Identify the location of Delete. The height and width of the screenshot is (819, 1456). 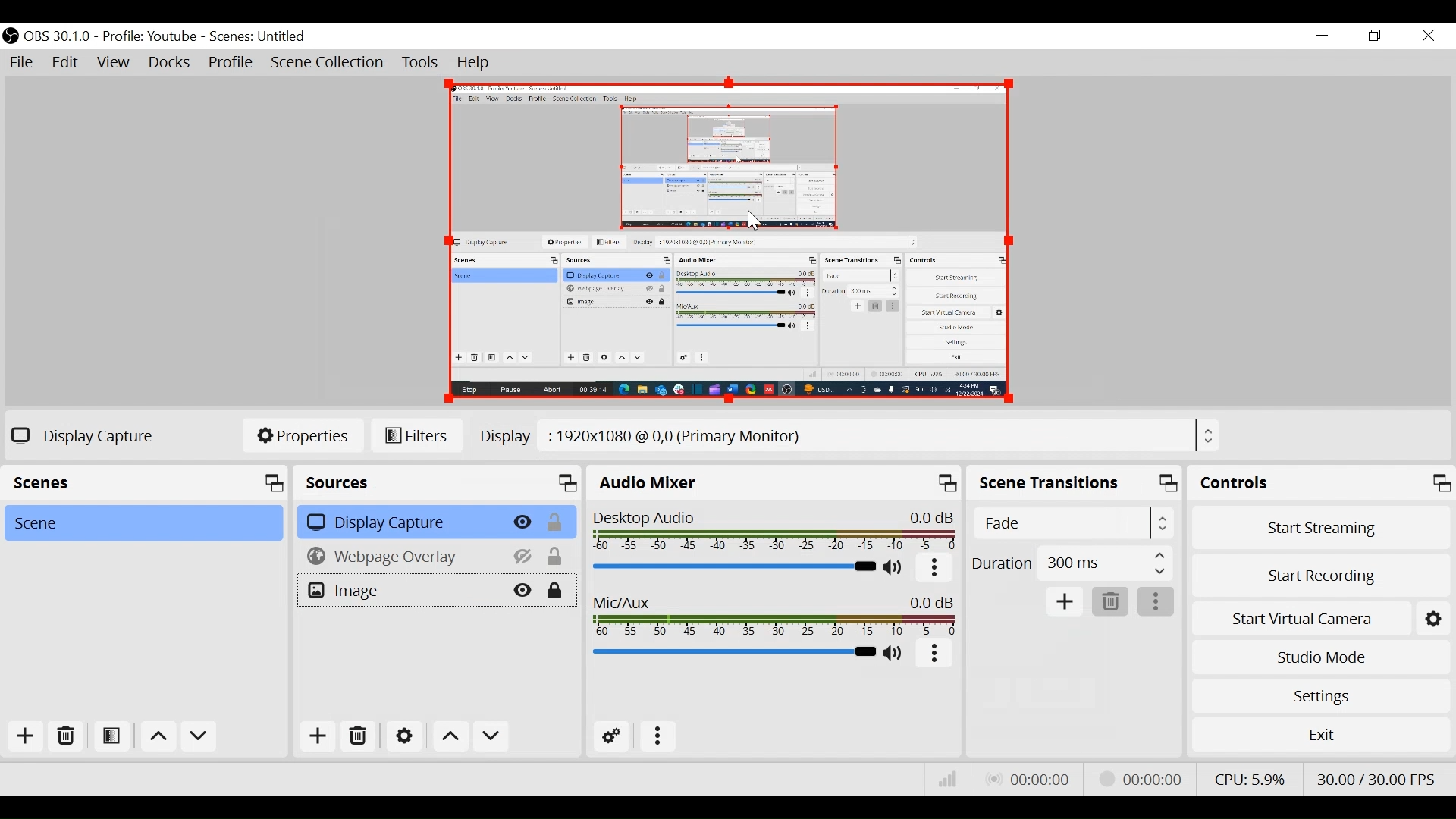
(362, 735).